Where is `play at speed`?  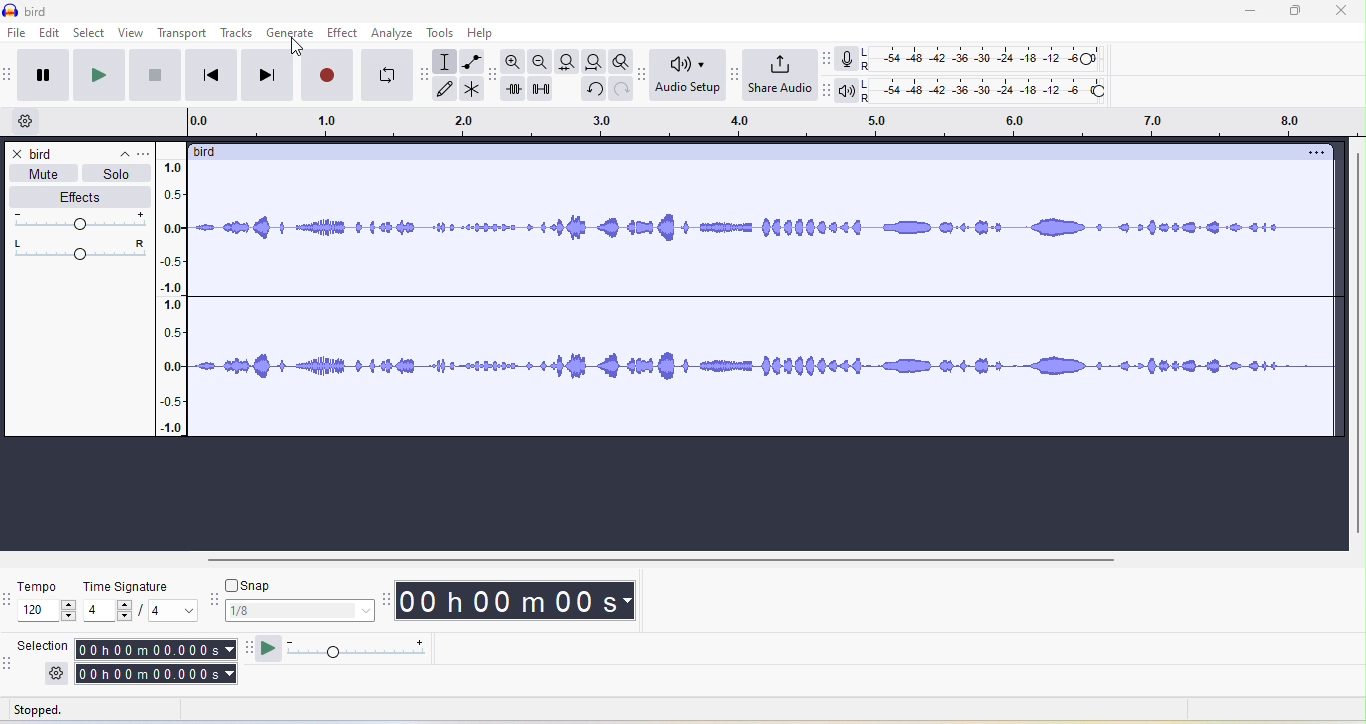 play at speed is located at coordinates (268, 651).